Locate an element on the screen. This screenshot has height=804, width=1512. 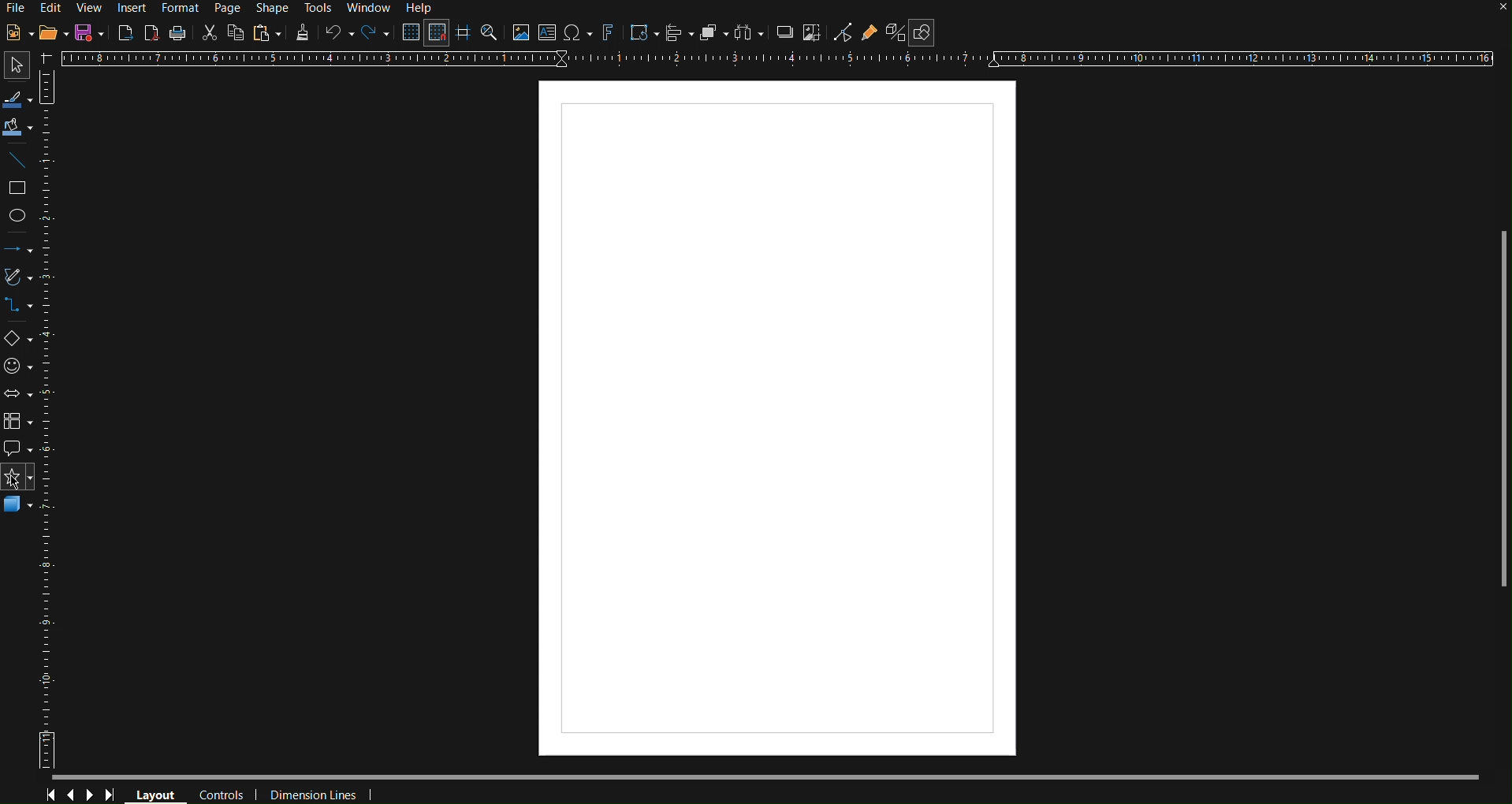
Canvas is located at coordinates (776, 418).